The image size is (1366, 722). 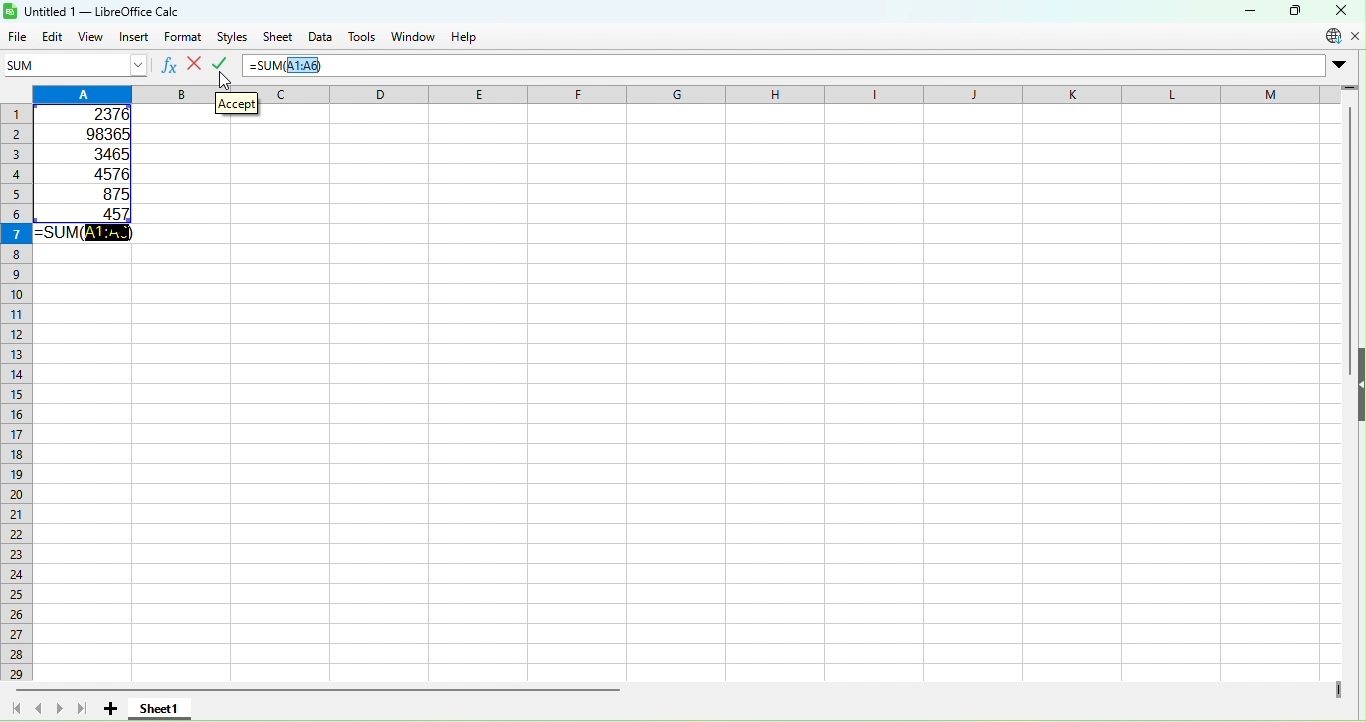 I want to click on Horizontal scroll bar, so click(x=691, y=690).